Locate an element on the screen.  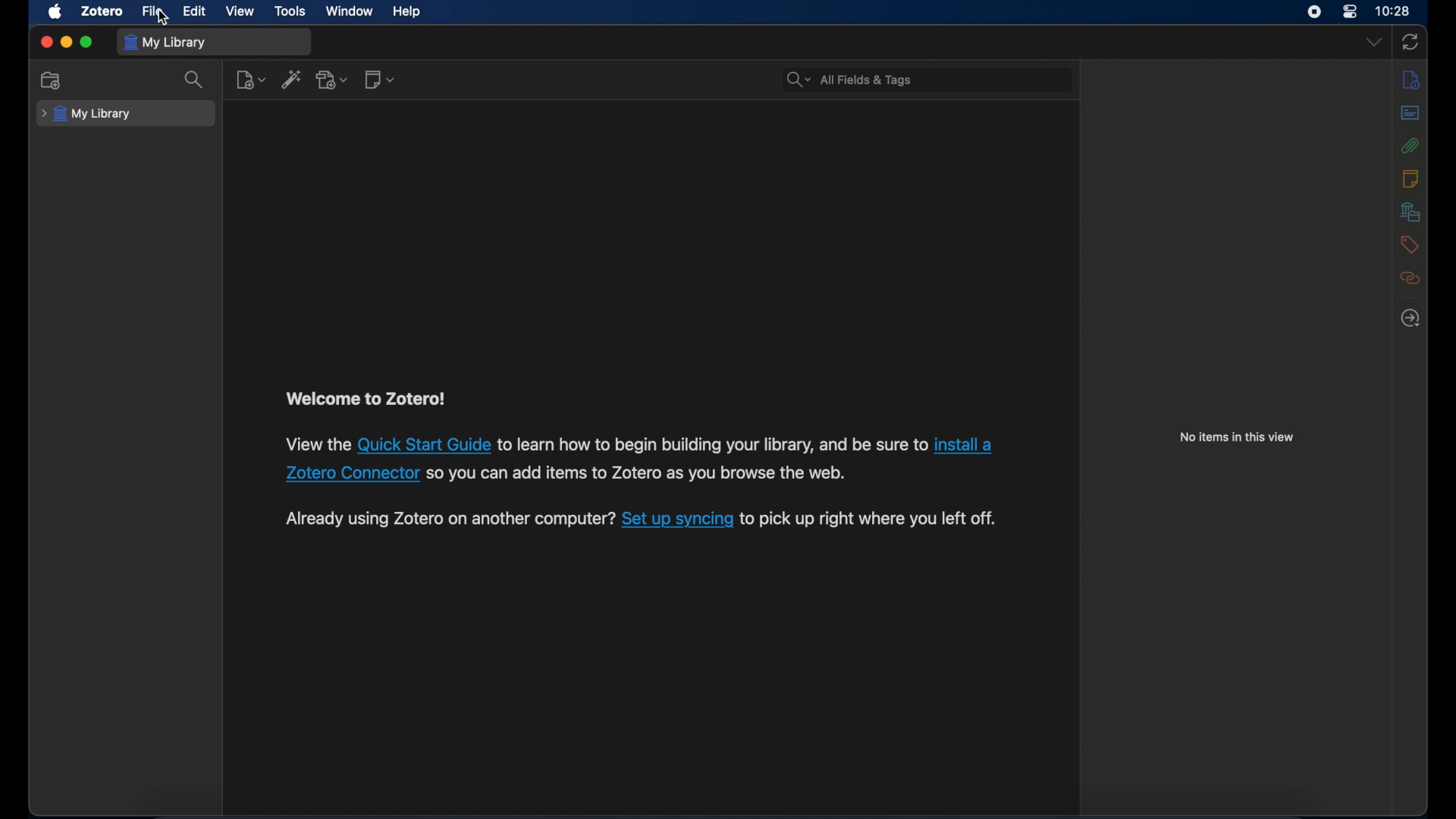
my library is located at coordinates (86, 115).